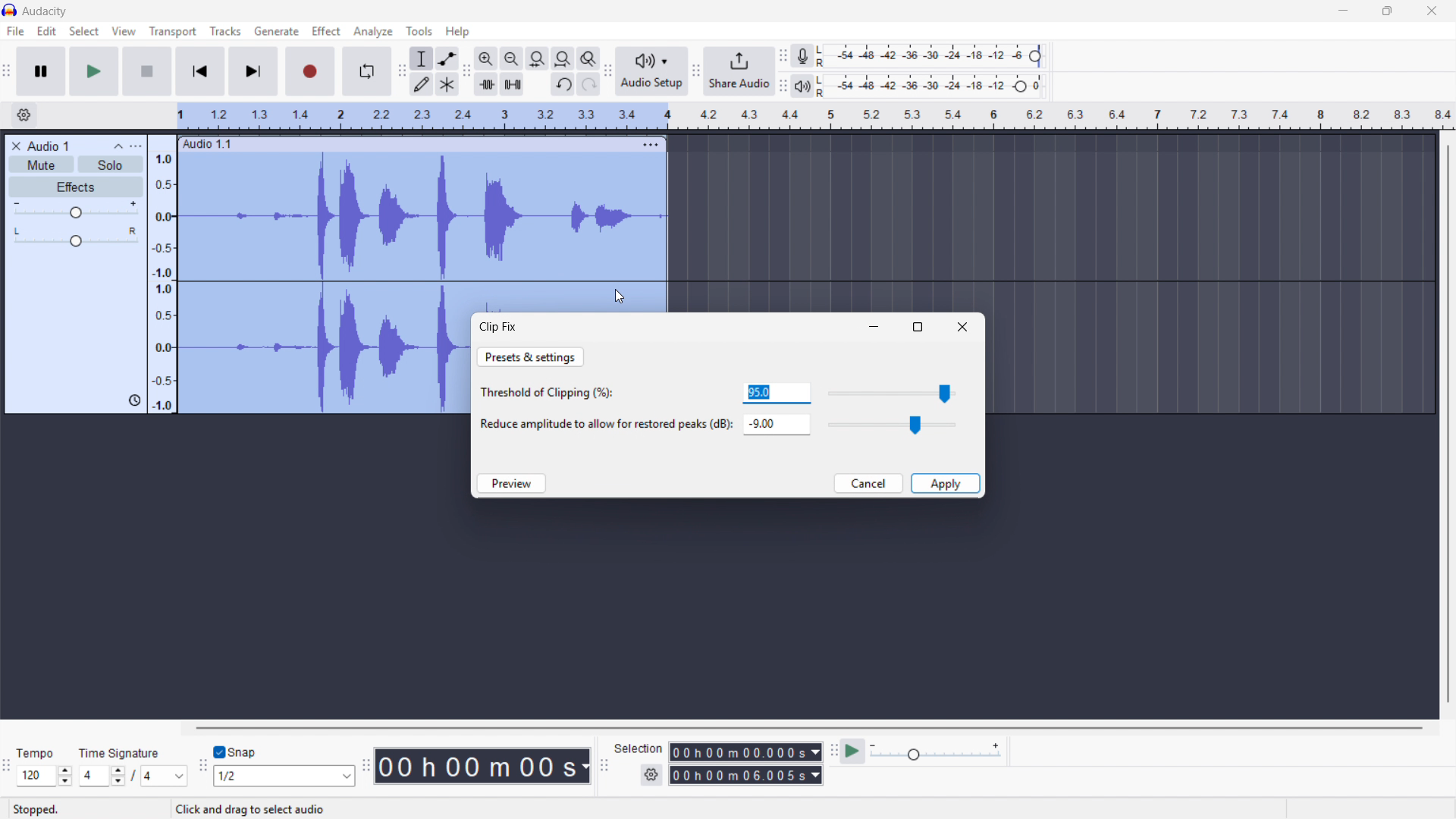  Describe the element at coordinates (875, 328) in the screenshot. I see `minimise ` at that location.